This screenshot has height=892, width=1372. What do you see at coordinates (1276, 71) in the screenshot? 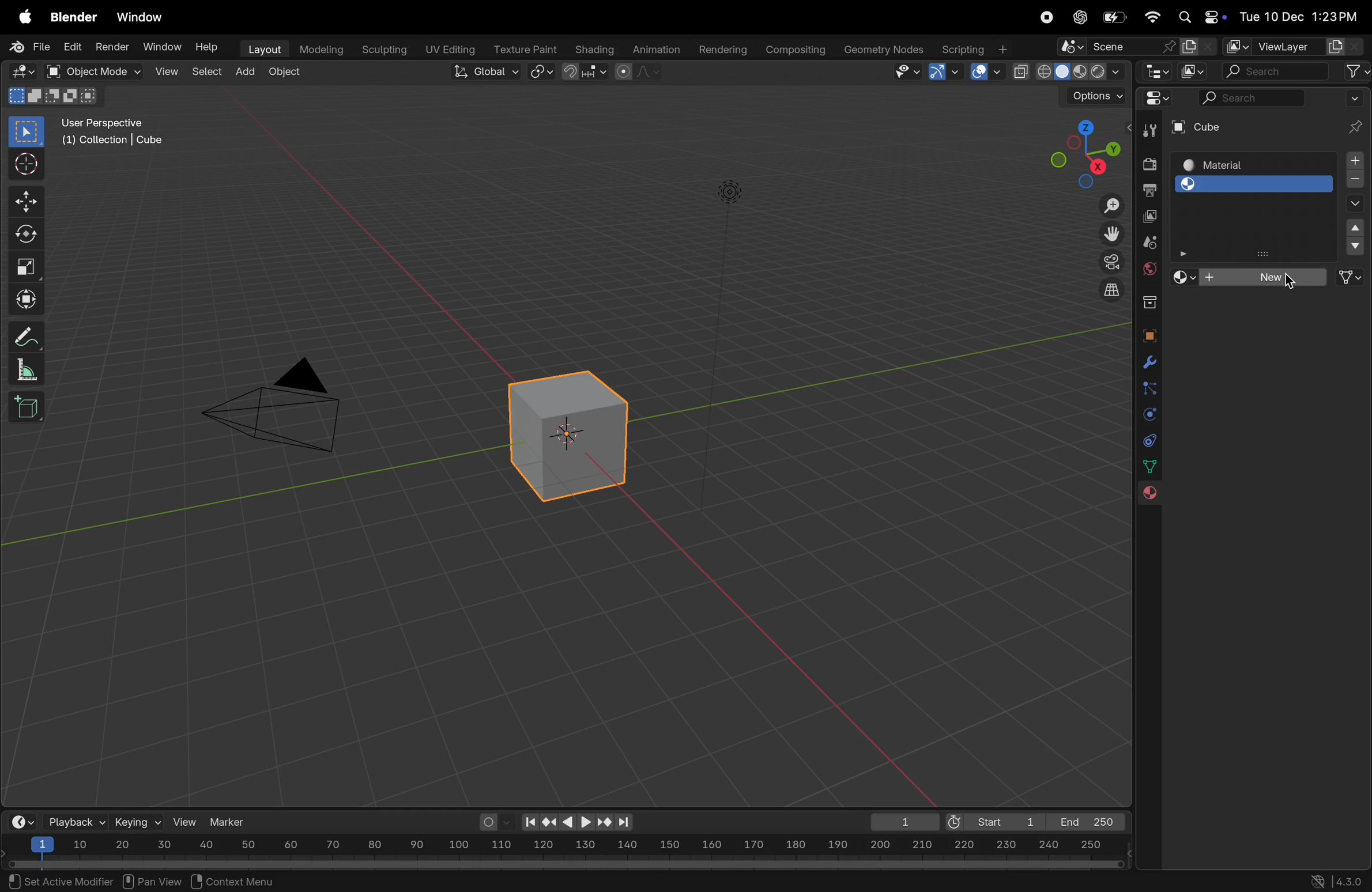
I see `search` at bounding box center [1276, 71].